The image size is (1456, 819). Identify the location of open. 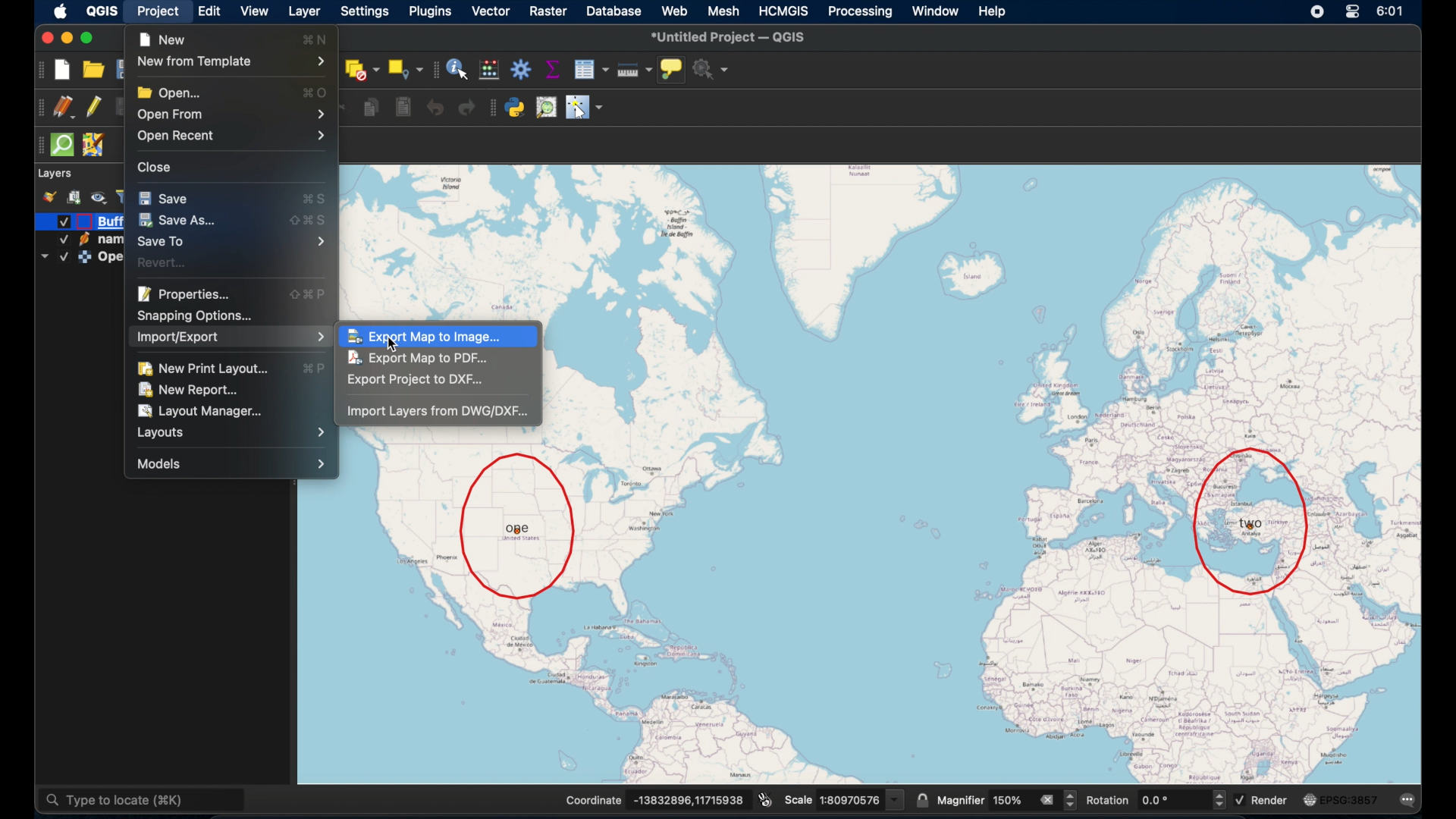
(169, 89).